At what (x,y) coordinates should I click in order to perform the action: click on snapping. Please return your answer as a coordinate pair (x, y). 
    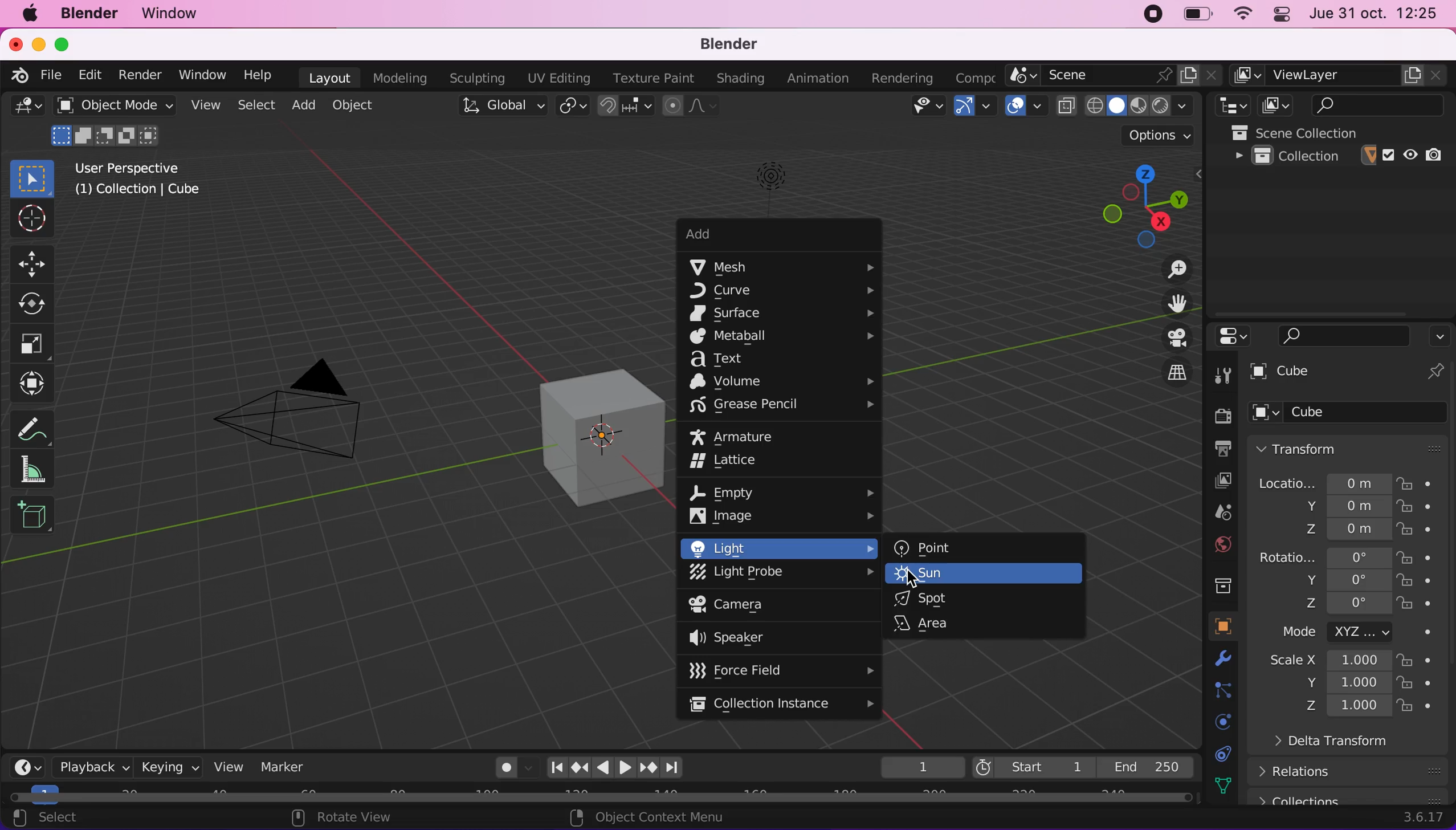
    Looking at the image, I should click on (628, 107).